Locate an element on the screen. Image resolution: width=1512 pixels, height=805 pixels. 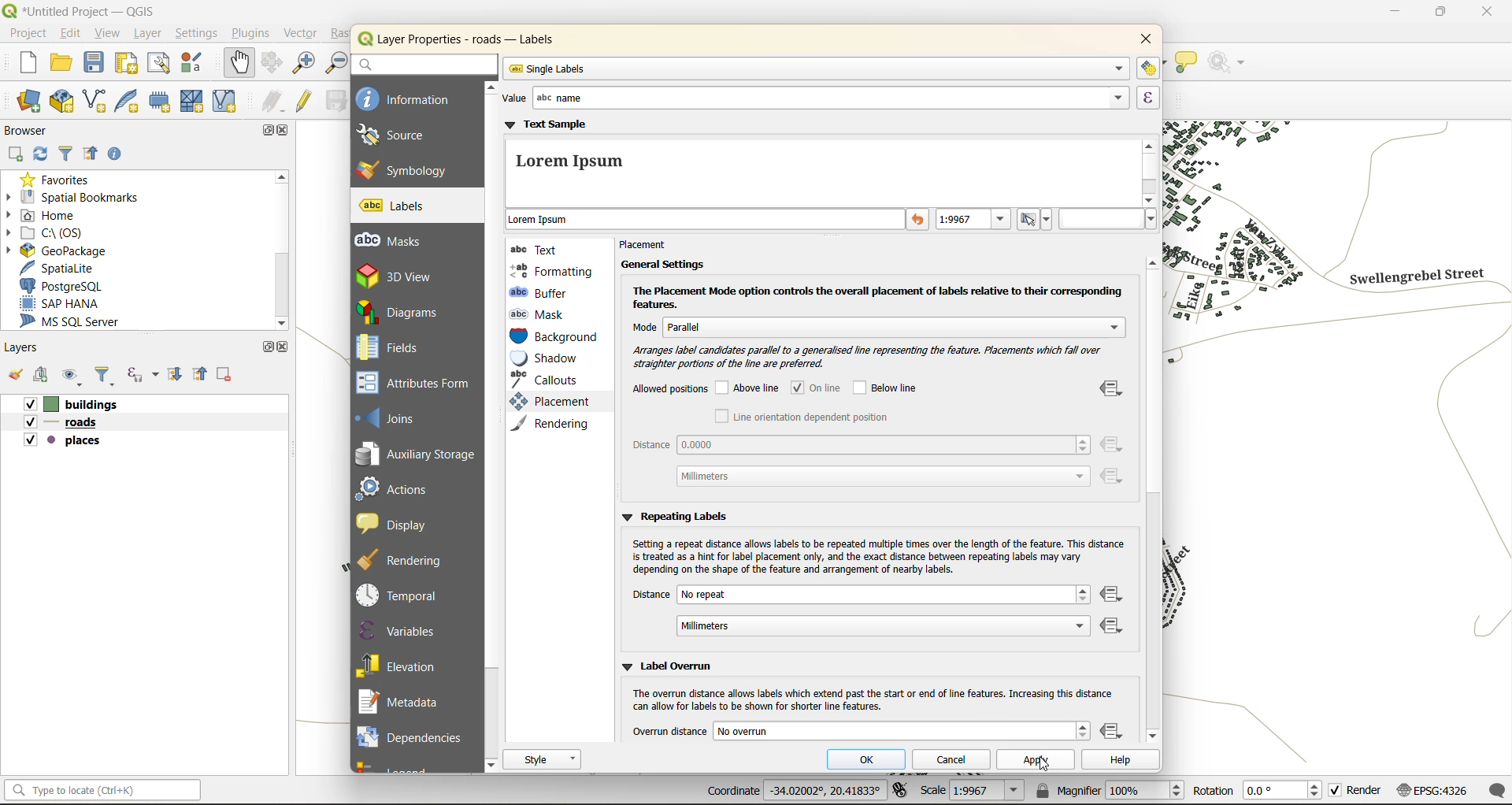
magnifier is located at coordinates (1108, 790).